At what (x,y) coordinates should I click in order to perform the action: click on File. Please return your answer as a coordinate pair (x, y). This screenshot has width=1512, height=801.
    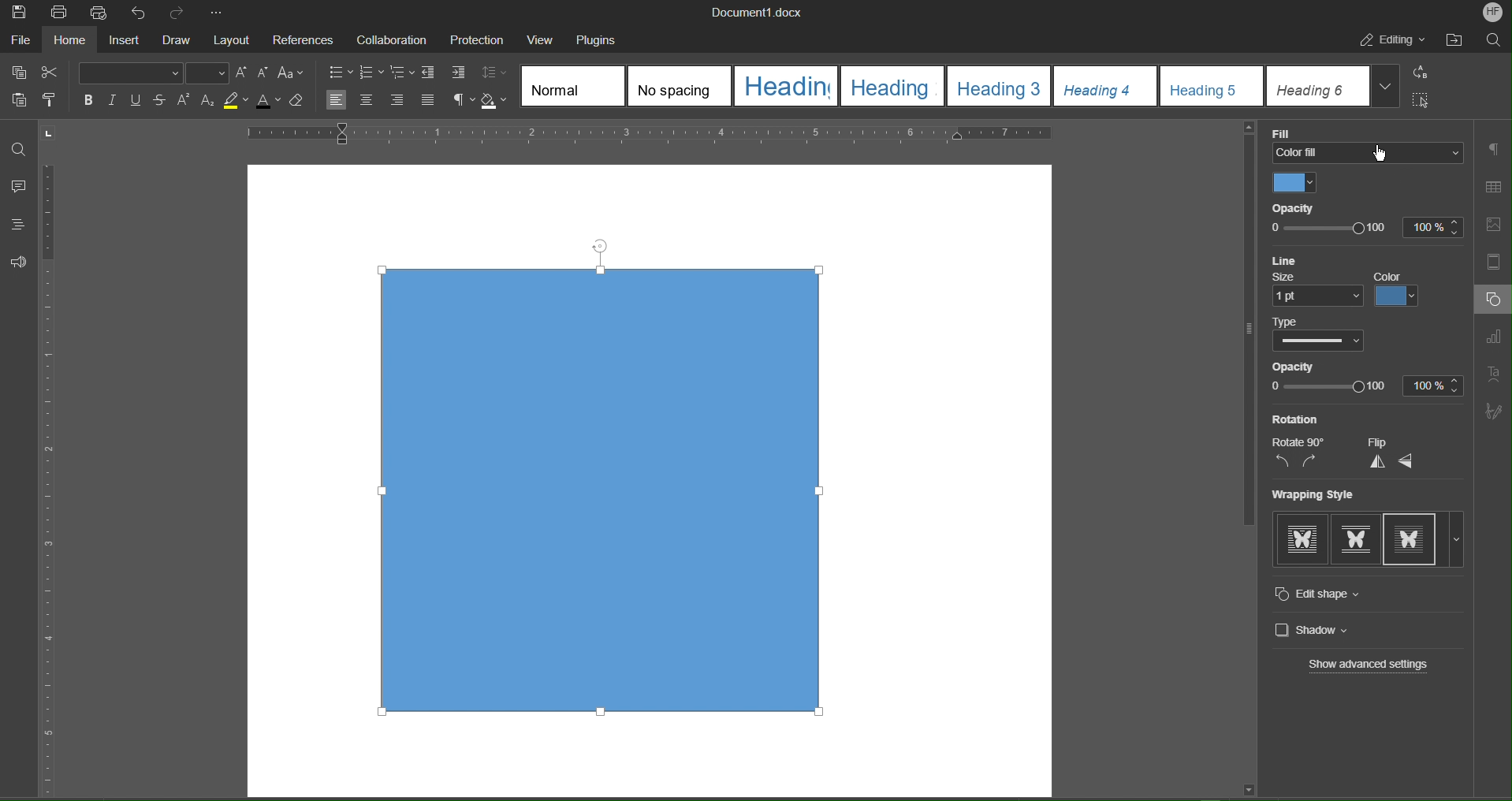
    Looking at the image, I should click on (20, 39).